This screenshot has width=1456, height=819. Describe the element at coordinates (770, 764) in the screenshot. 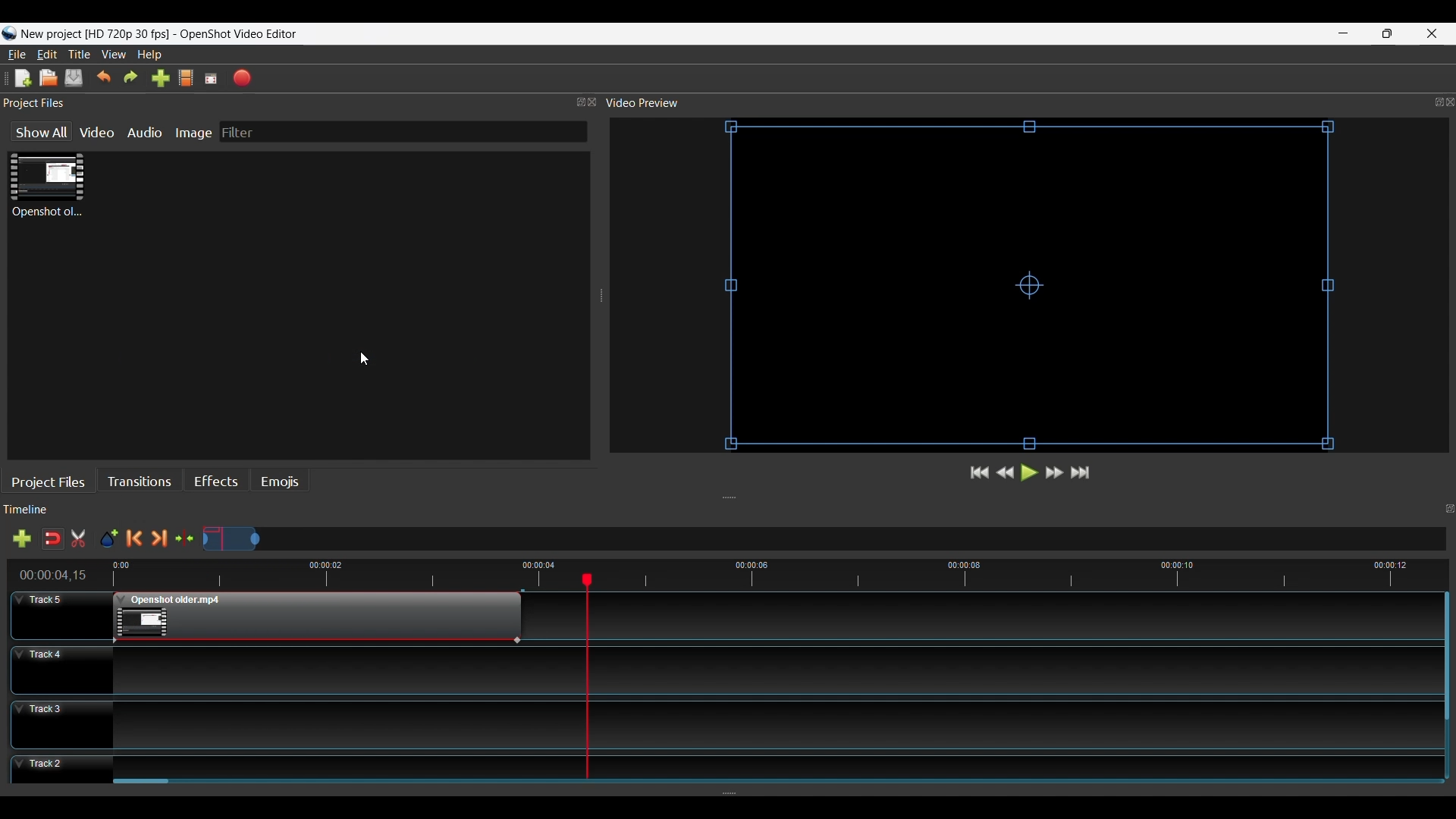

I see `Track Panel` at that location.